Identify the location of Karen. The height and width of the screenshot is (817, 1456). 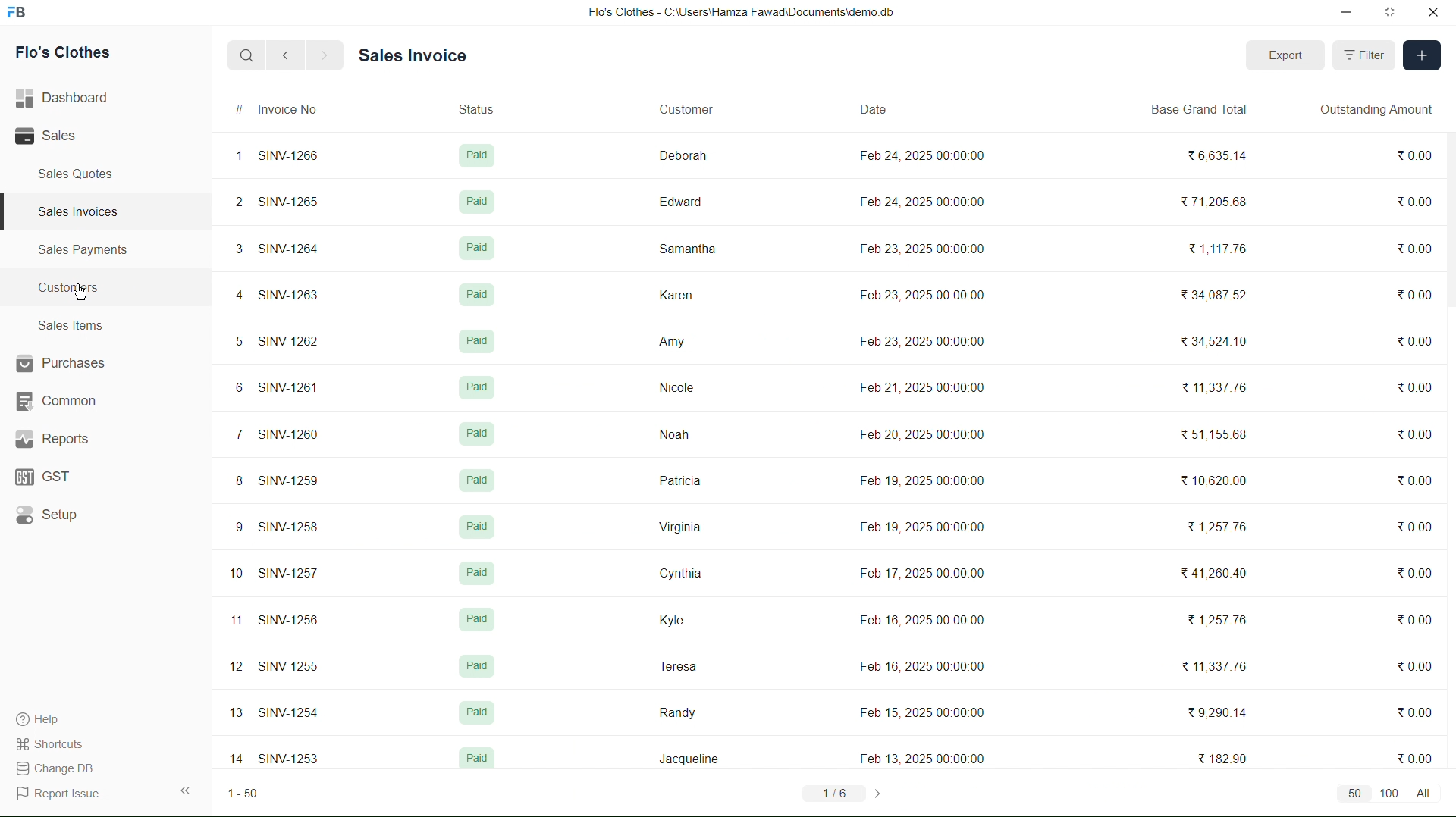
(675, 293).